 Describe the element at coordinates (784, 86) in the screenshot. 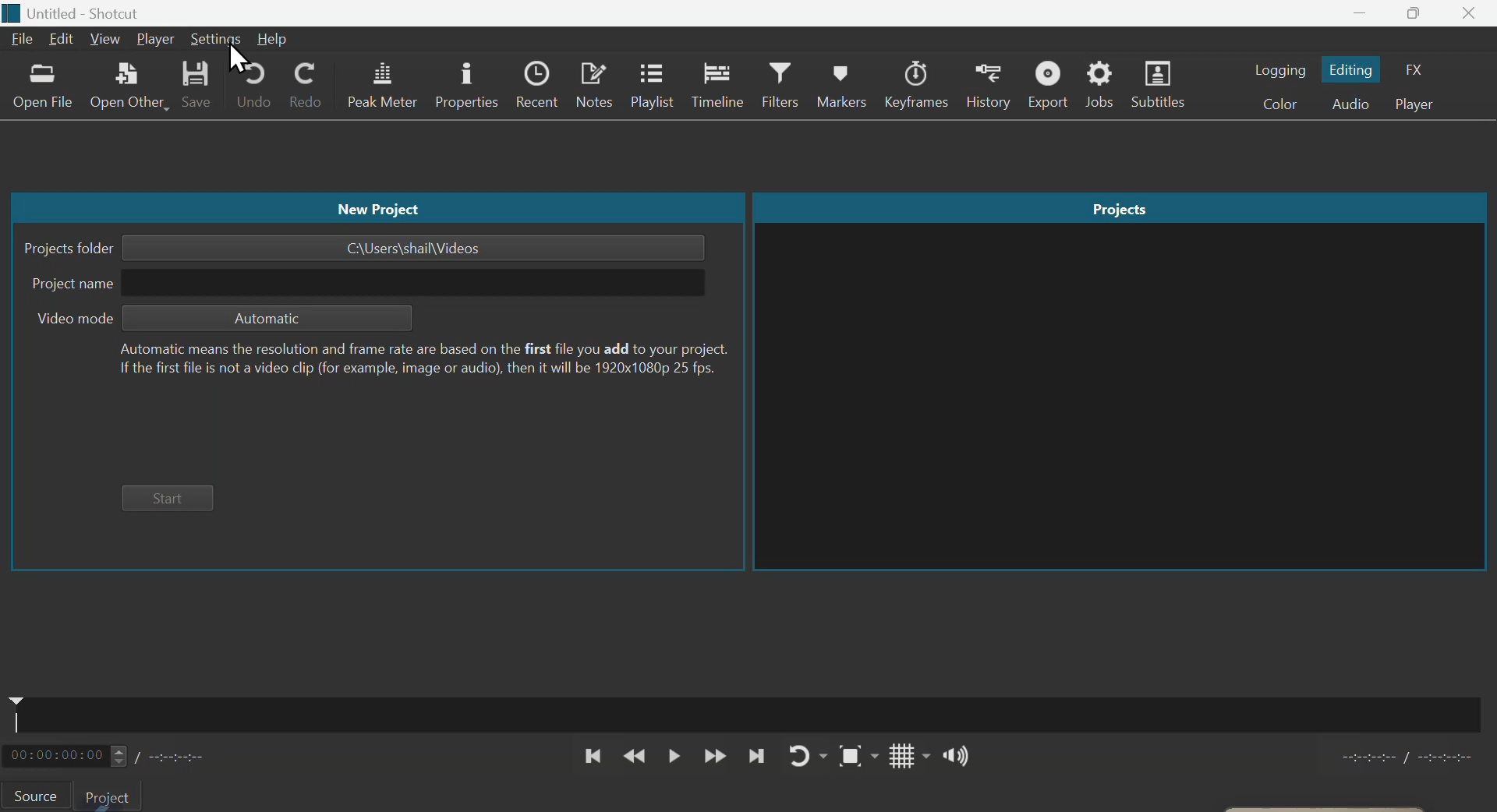

I see `philtres` at that location.